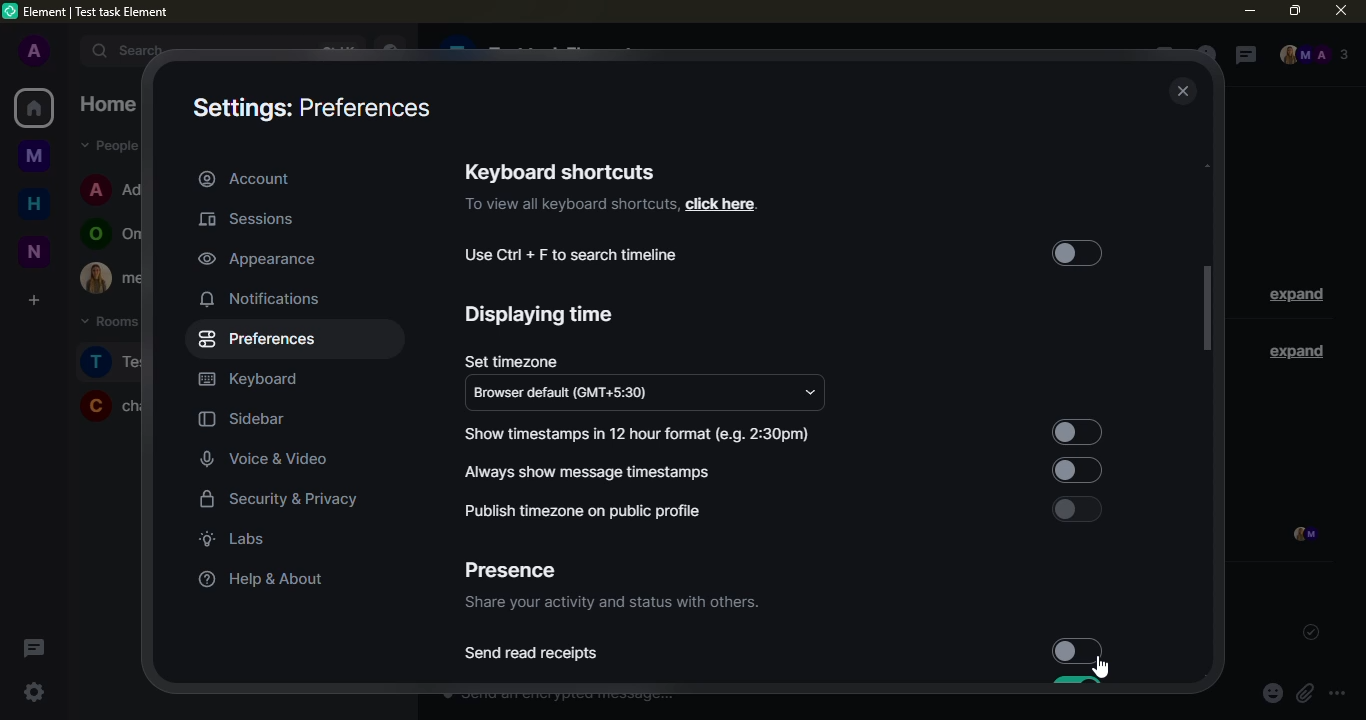 This screenshot has height=720, width=1366. What do you see at coordinates (309, 110) in the screenshot?
I see `settings: preferences` at bounding box center [309, 110].